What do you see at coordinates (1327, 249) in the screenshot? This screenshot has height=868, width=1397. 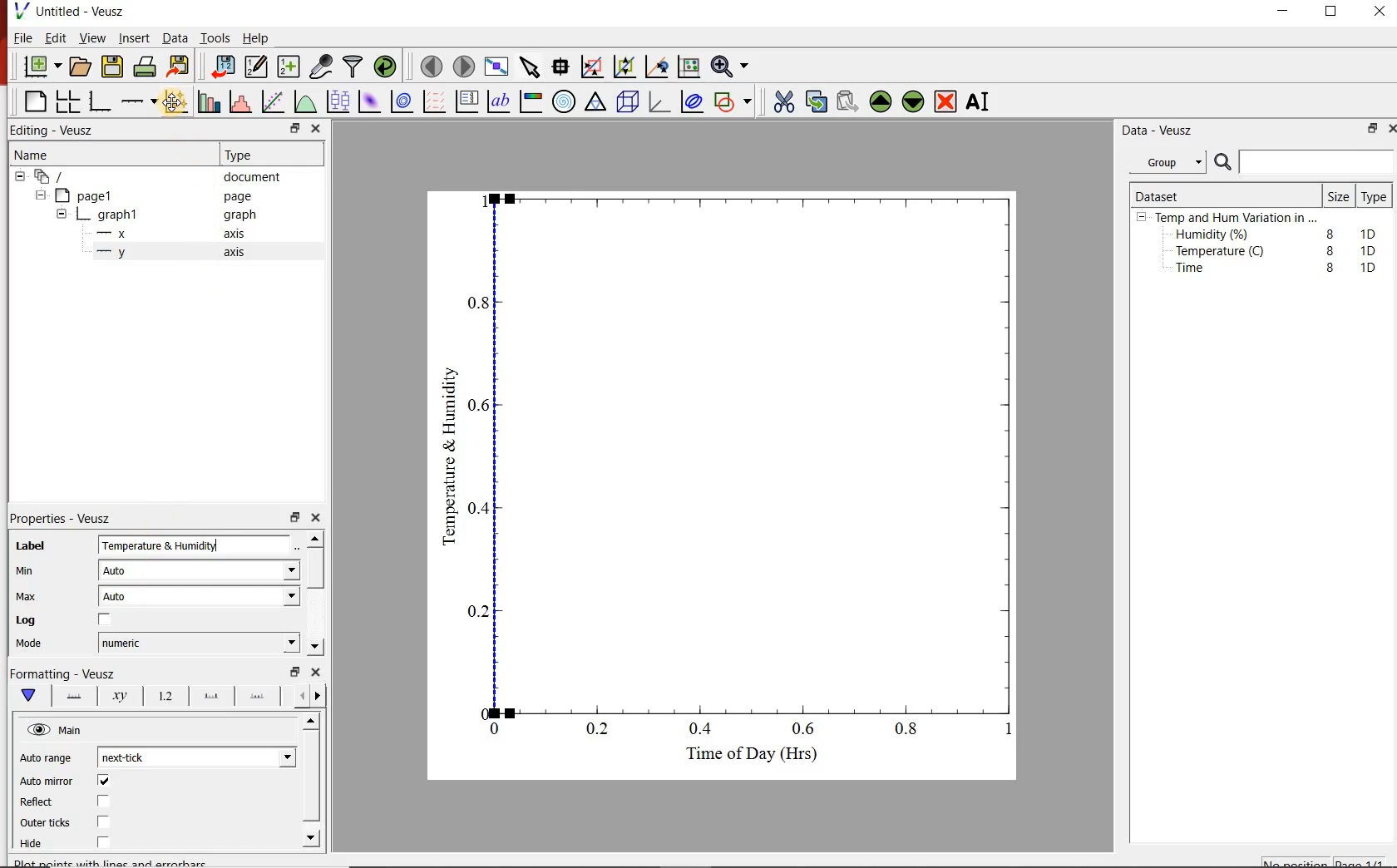 I see `8` at bounding box center [1327, 249].